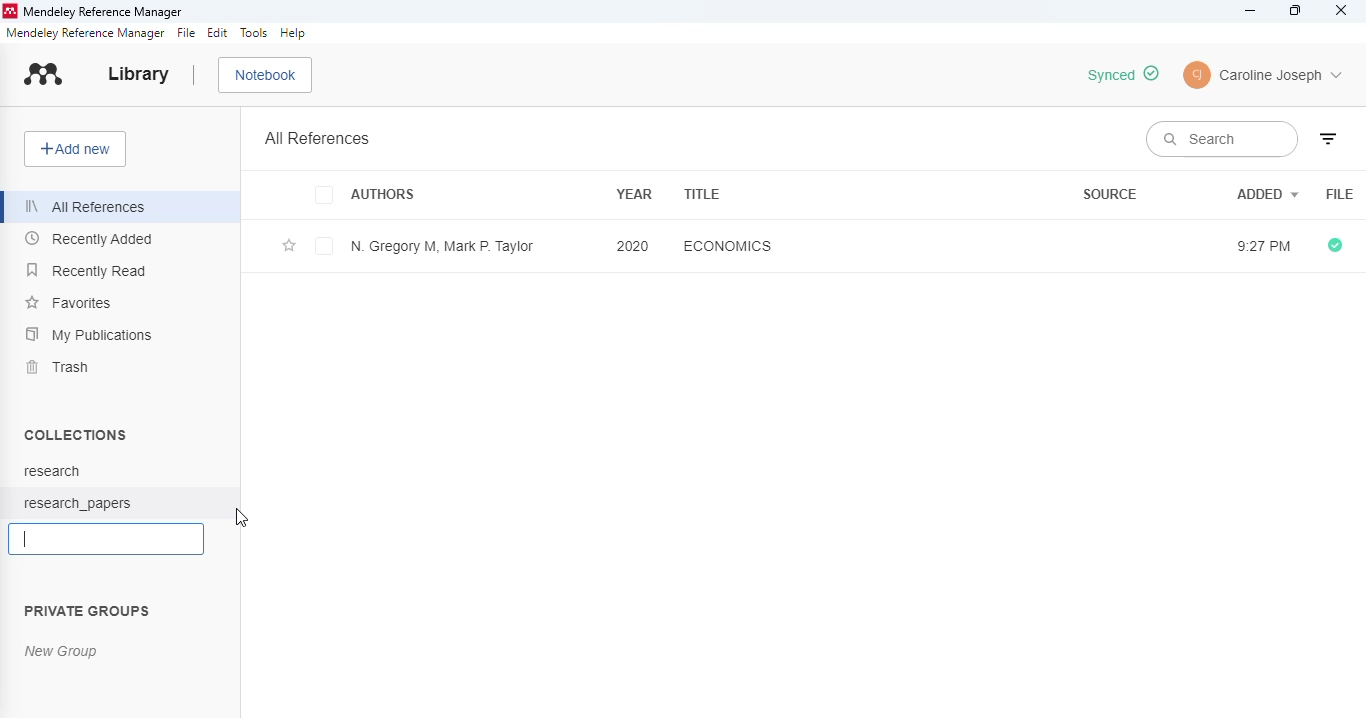  What do you see at coordinates (86, 33) in the screenshot?
I see `mendeley reference manager` at bounding box center [86, 33].